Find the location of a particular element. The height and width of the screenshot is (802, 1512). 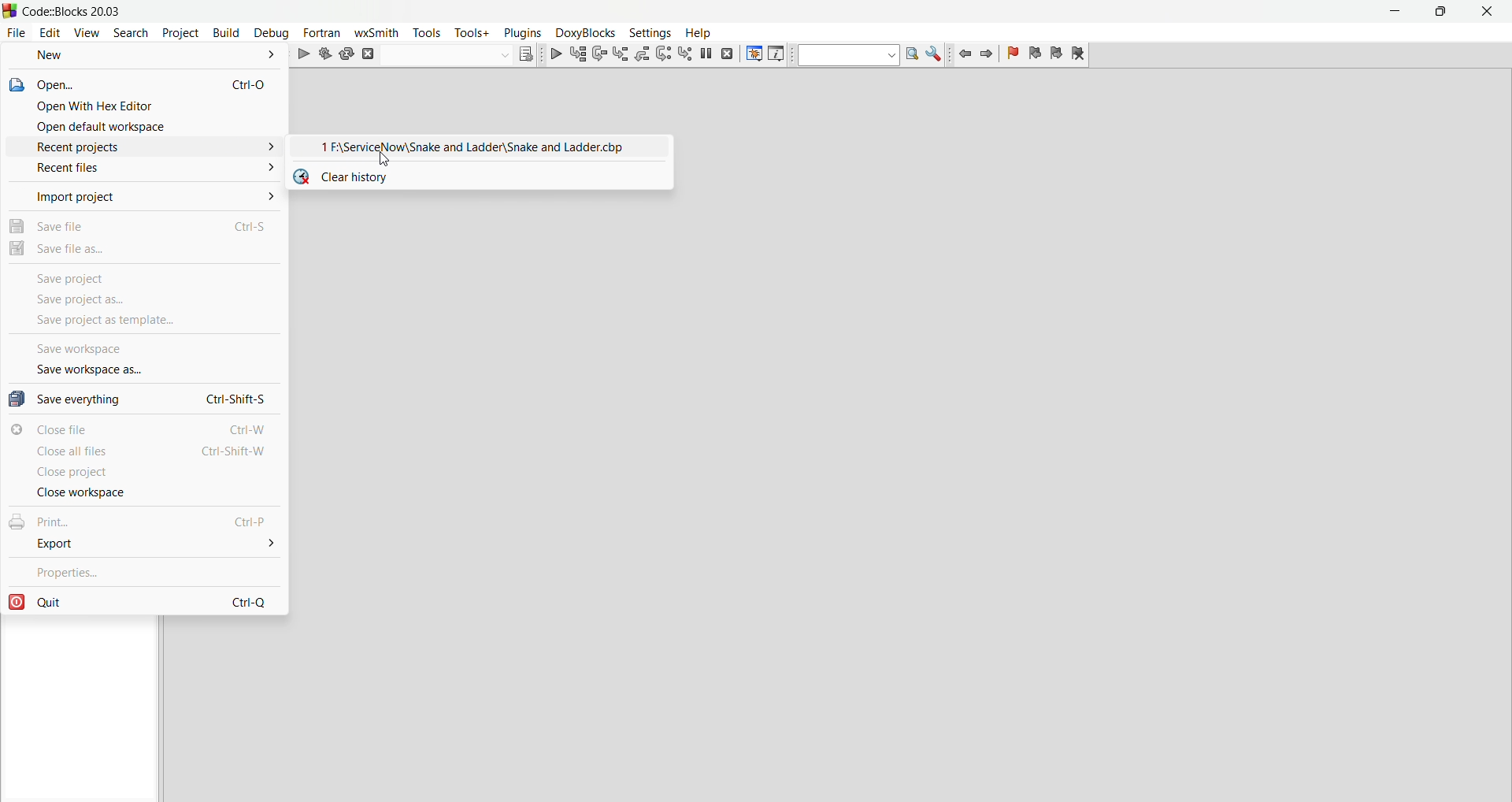

search is located at coordinates (134, 33).